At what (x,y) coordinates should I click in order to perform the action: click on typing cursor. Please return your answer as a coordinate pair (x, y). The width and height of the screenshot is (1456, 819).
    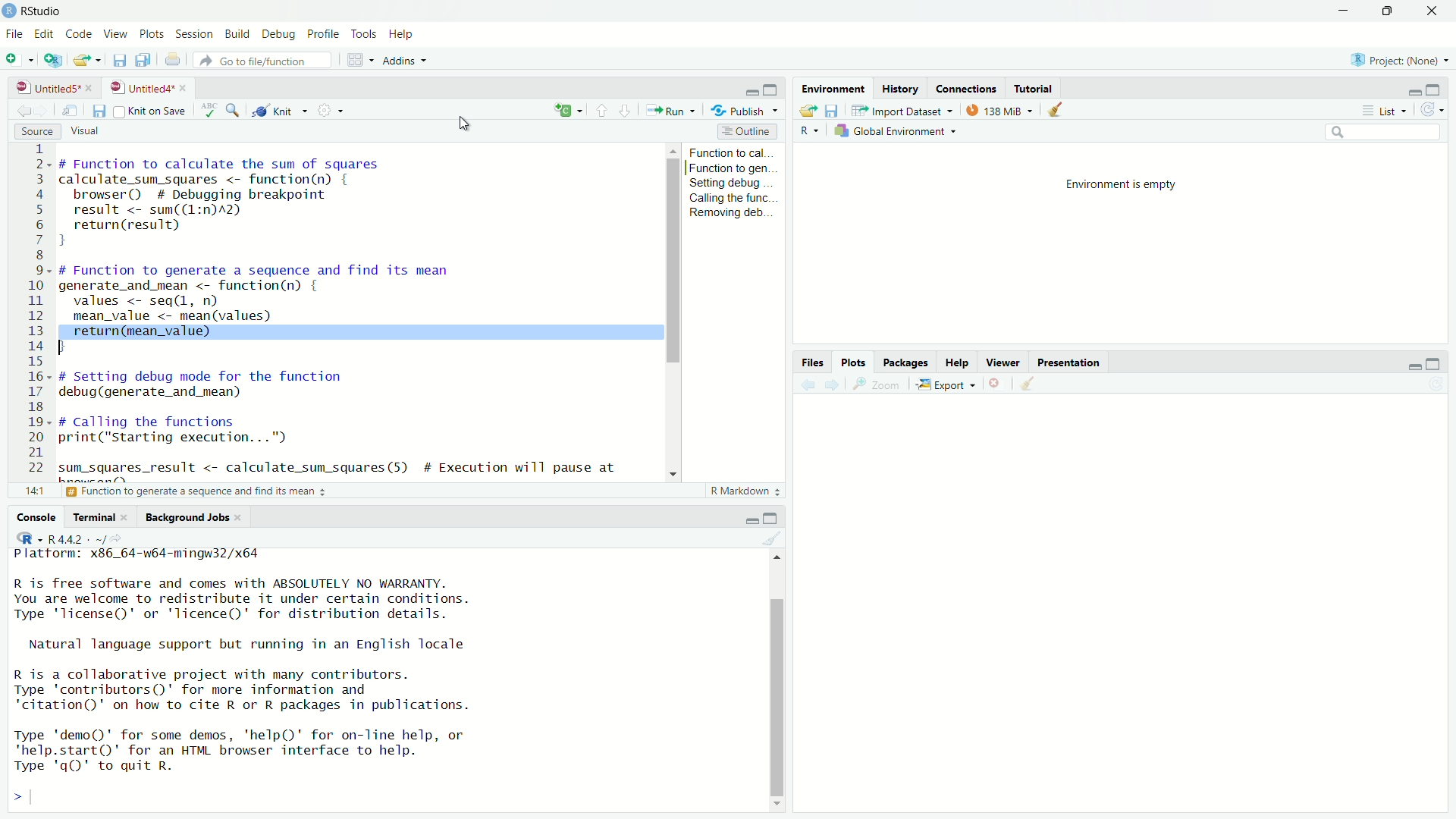
    Looking at the image, I should click on (38, 798).